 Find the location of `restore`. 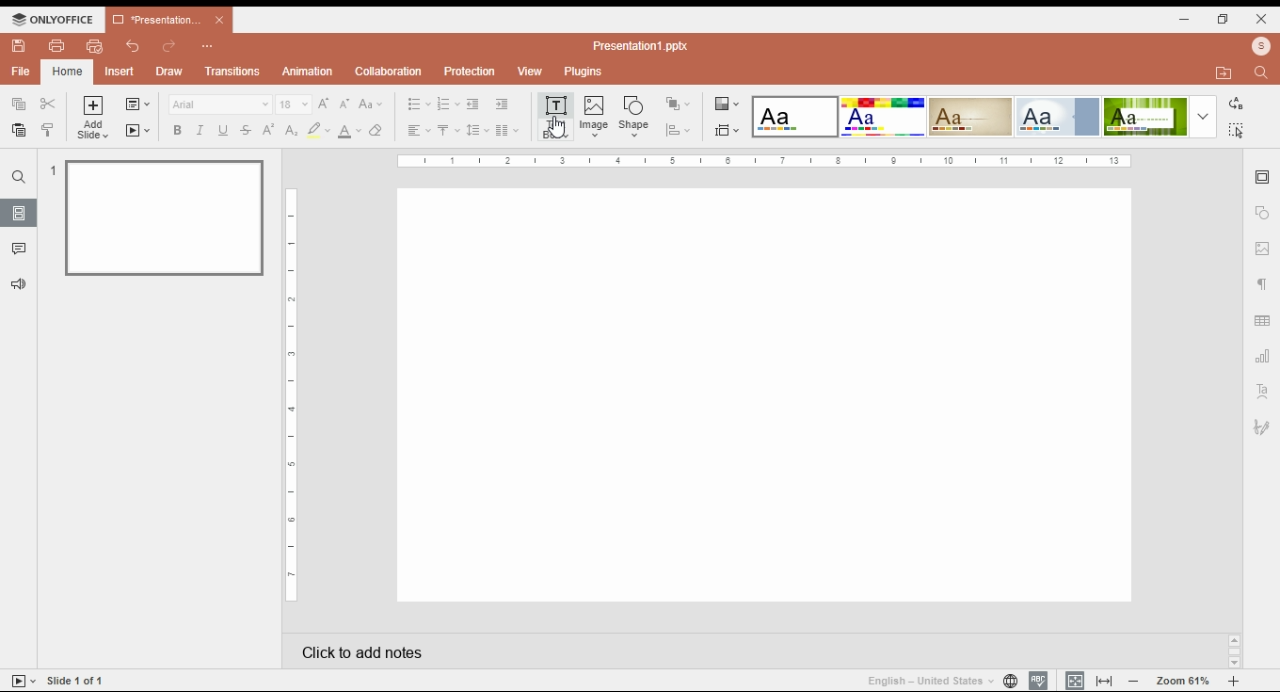

restore is located at coordinates (1224, 20).